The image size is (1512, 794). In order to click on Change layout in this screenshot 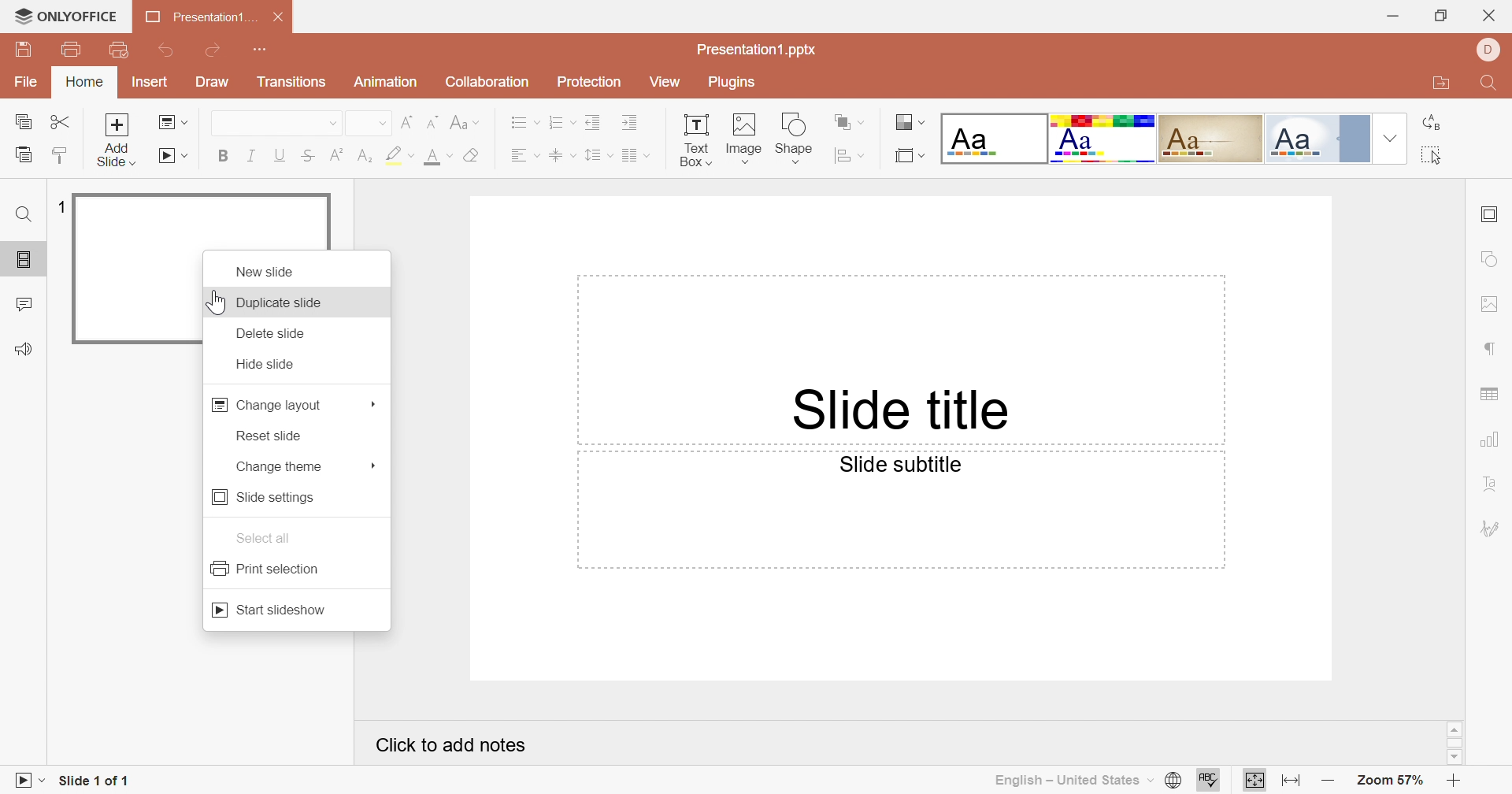, I will do `click(269, 403)`.